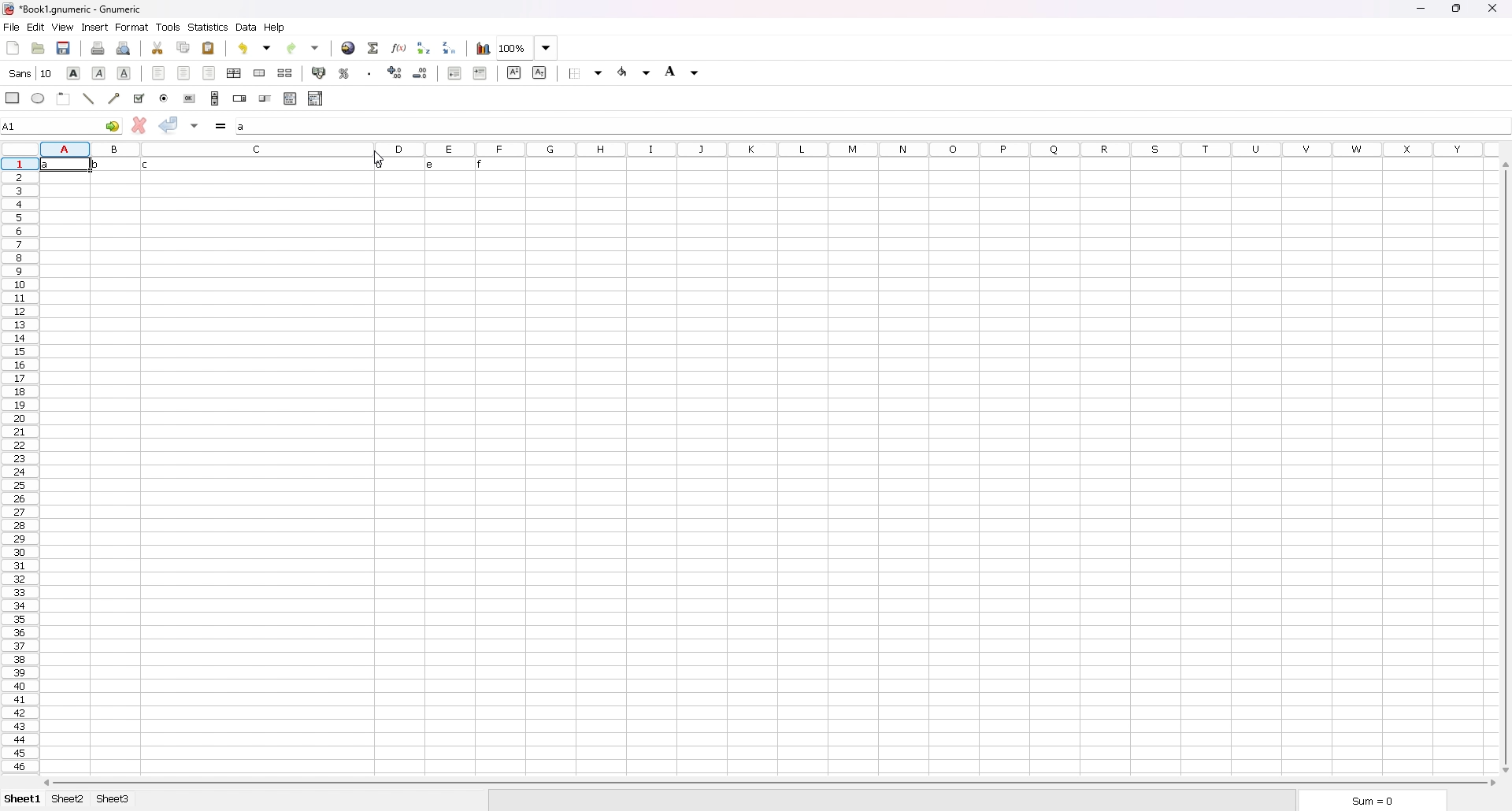 The image size is (1512, 811). I want to click on print preview, so click(123, 48).